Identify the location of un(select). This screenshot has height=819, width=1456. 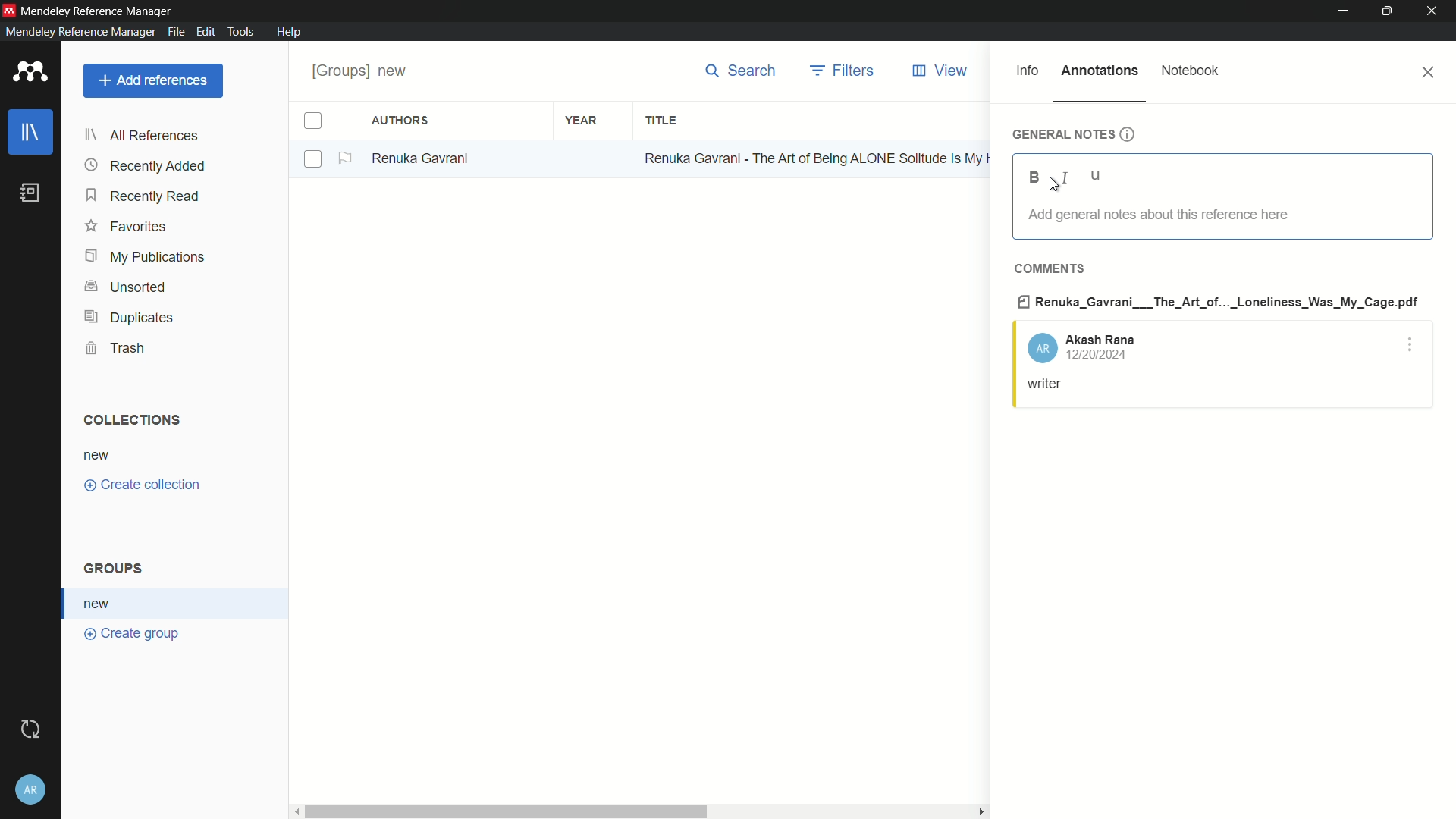
(314, 160).